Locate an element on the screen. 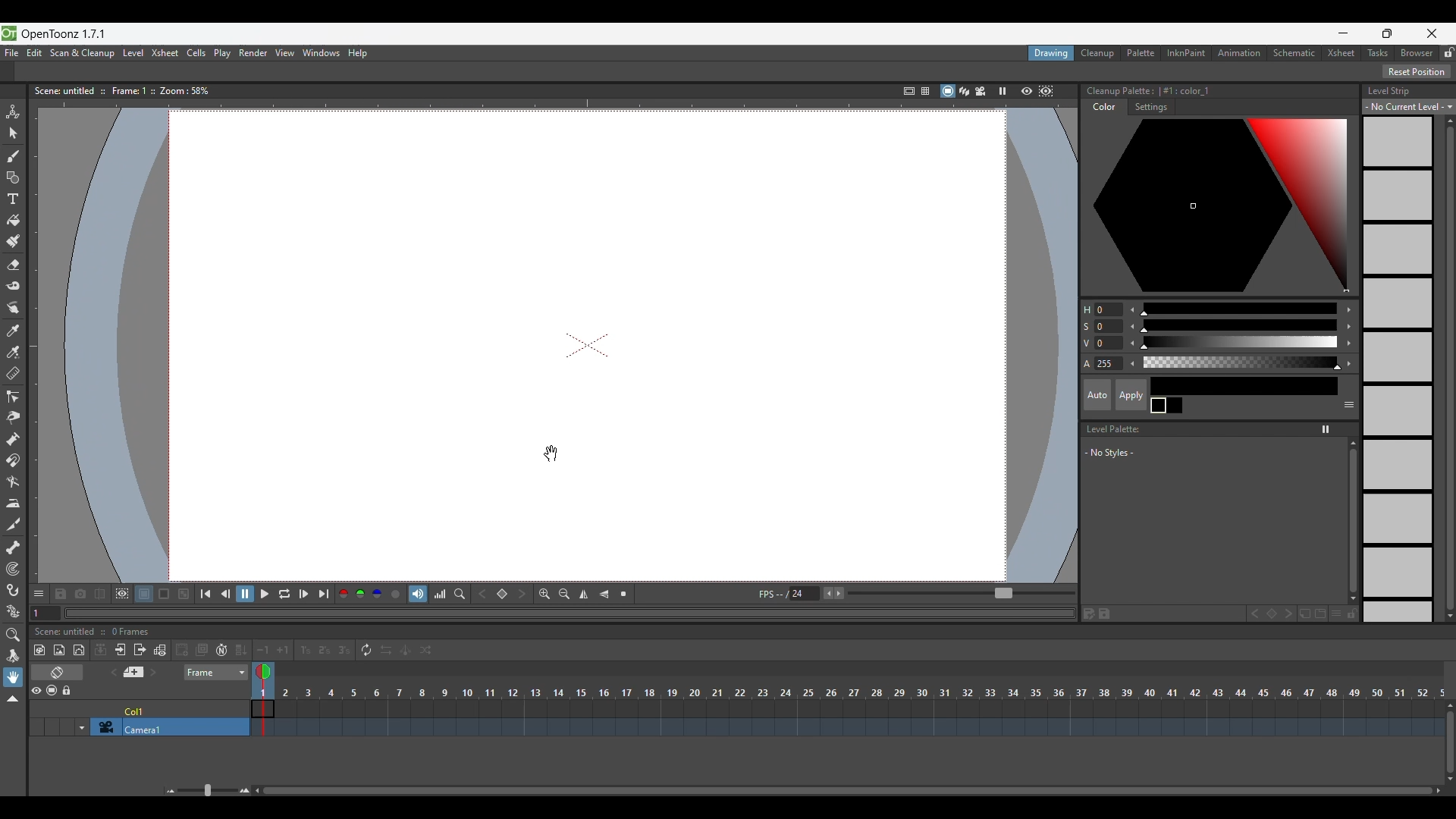 Image resolution: width=1456 pixels, height=819 pixels. White background is located at coordinates (145, 594).